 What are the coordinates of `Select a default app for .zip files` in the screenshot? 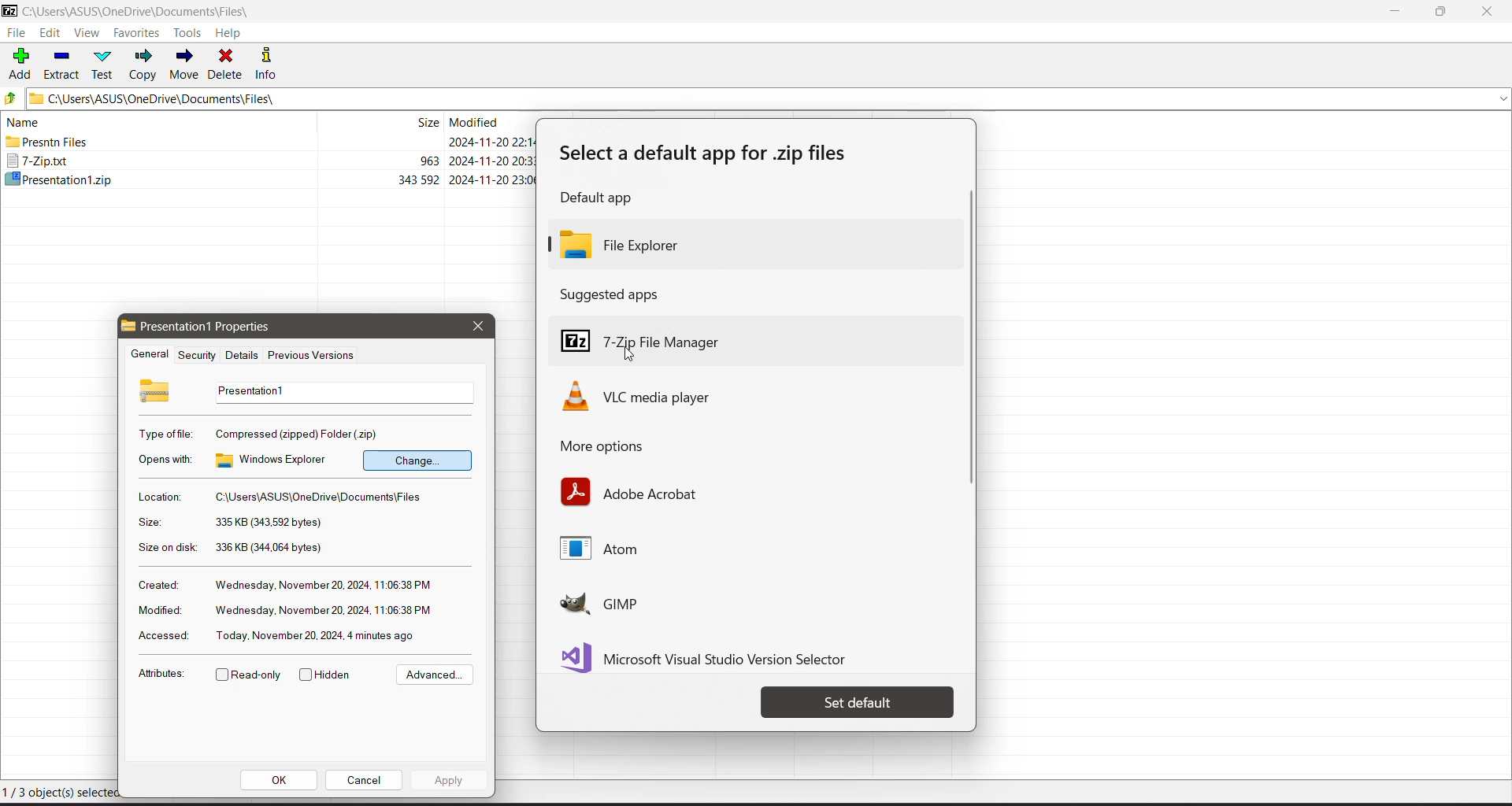 It's located at (710, 154).